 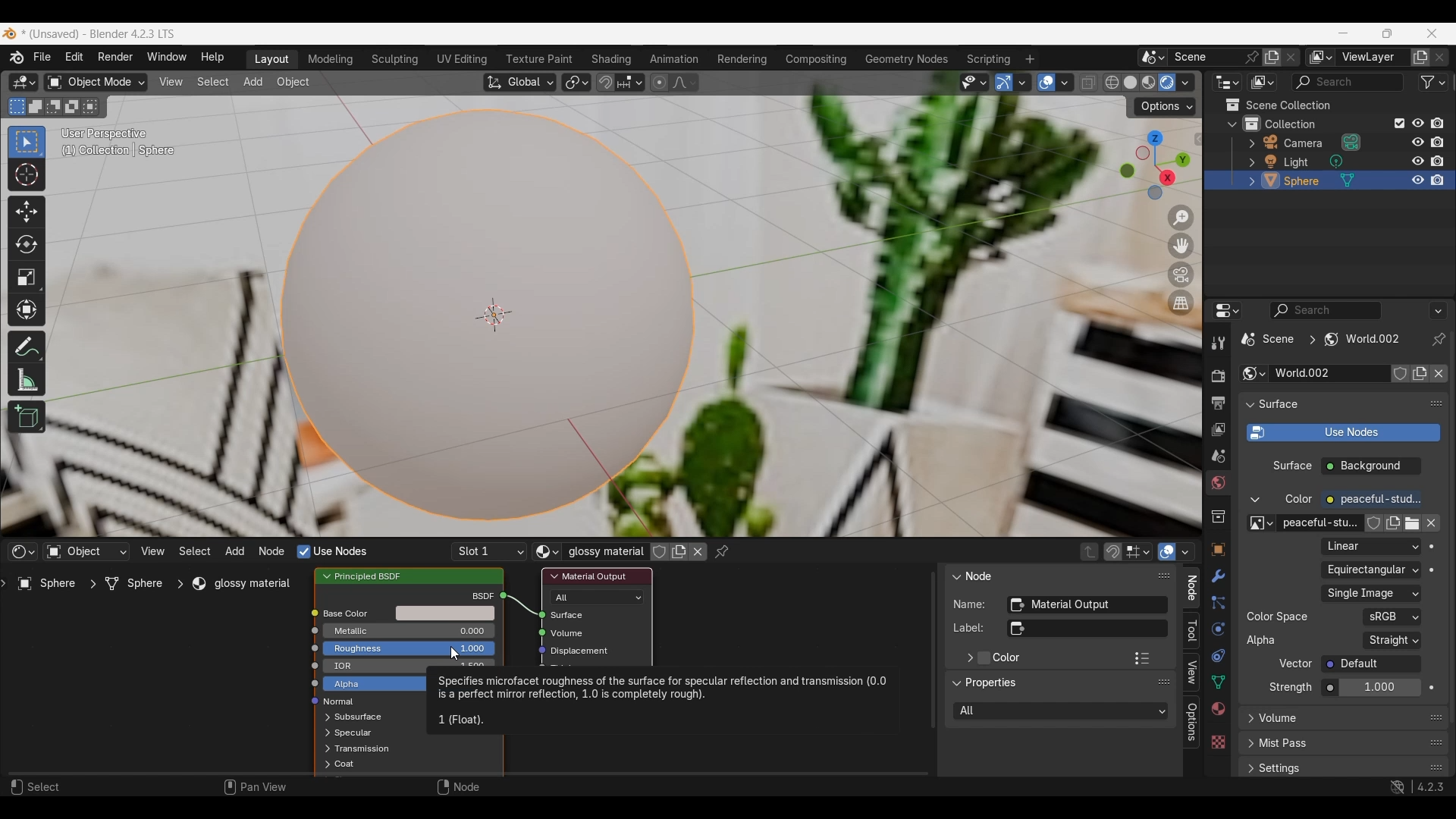 What do you see at coordinates (629, 82) in the screenshot?
I see `Snapping` at bounding box center [629, 82].